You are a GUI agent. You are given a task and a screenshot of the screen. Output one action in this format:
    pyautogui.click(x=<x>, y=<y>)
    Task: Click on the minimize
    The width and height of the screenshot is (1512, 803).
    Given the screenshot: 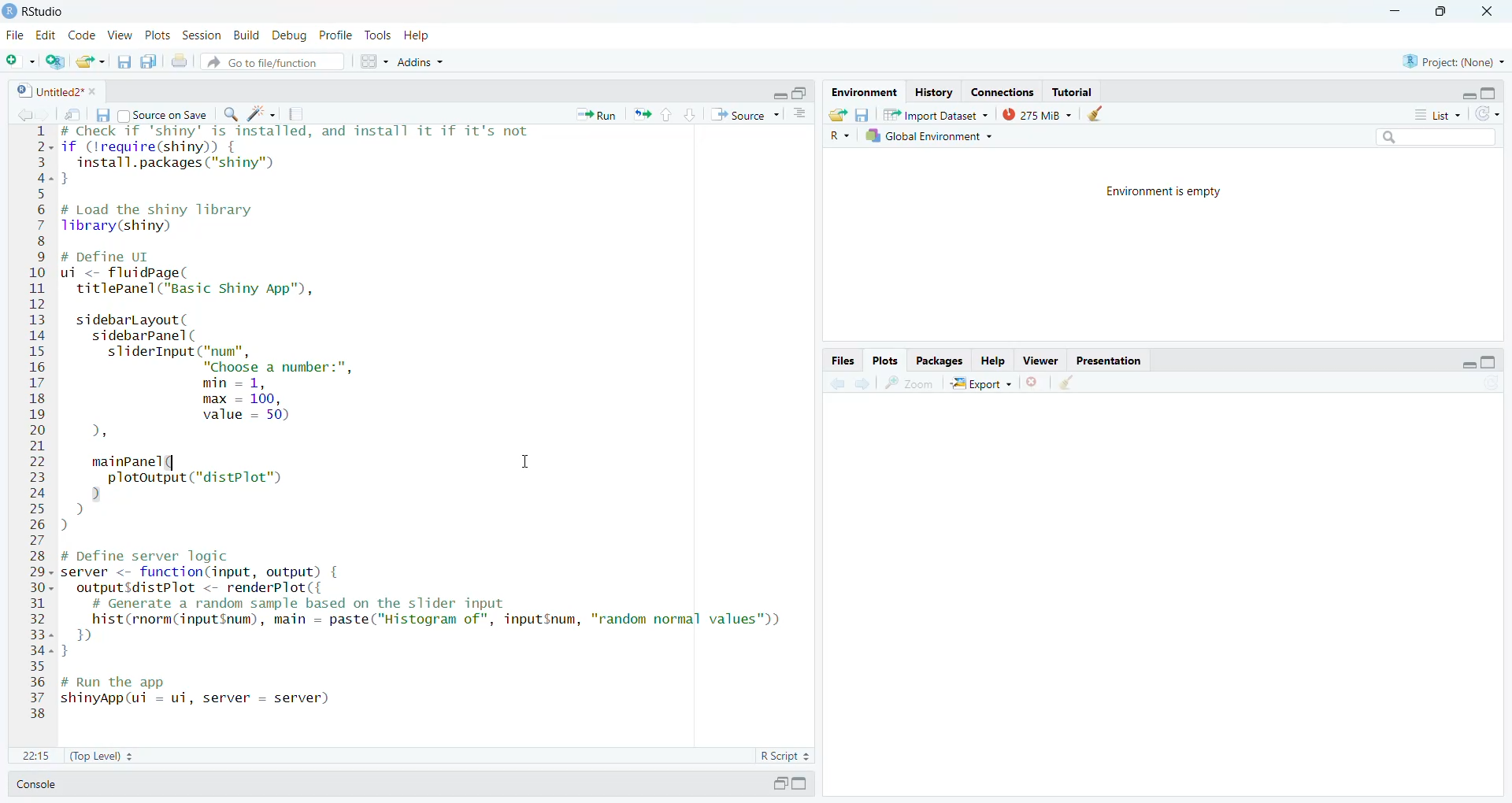 What is the action you would take?
    pyautogui.click(x=1469, y=364)
    